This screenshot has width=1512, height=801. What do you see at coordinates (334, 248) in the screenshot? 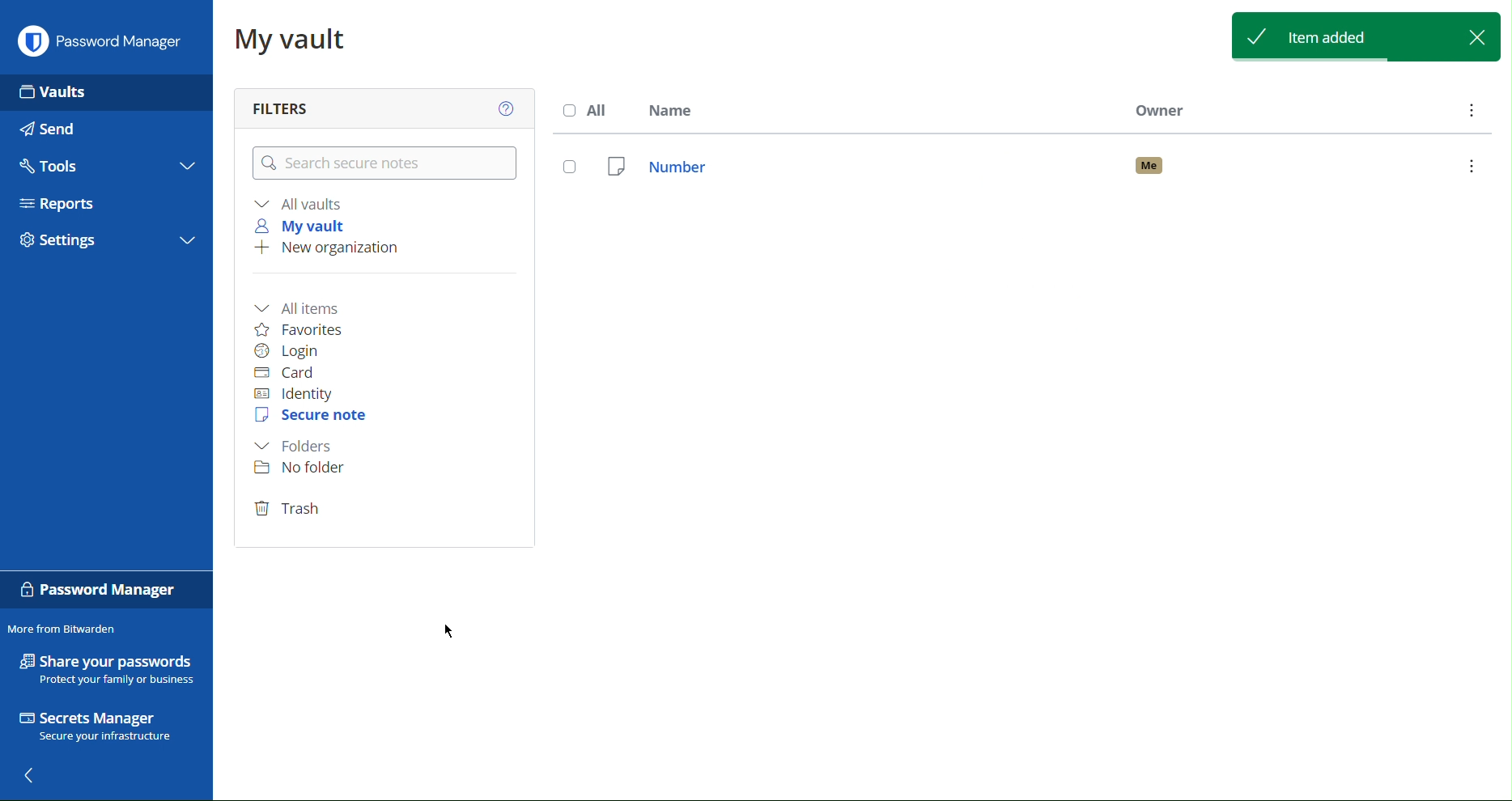
I see `New organization` at bounding box center [334, 248].